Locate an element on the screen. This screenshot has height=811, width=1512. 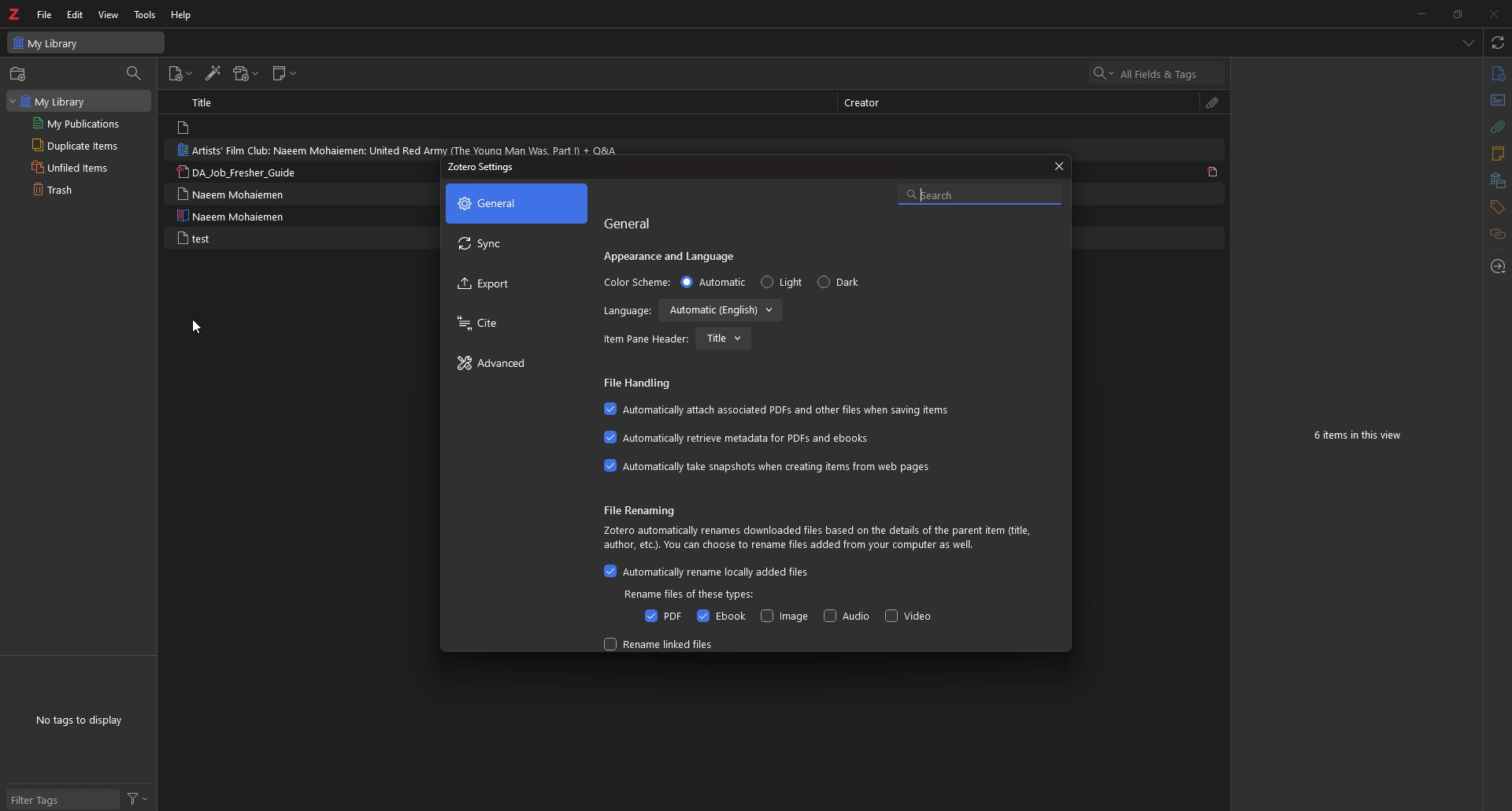
edit is located at coordinates (77, 15).